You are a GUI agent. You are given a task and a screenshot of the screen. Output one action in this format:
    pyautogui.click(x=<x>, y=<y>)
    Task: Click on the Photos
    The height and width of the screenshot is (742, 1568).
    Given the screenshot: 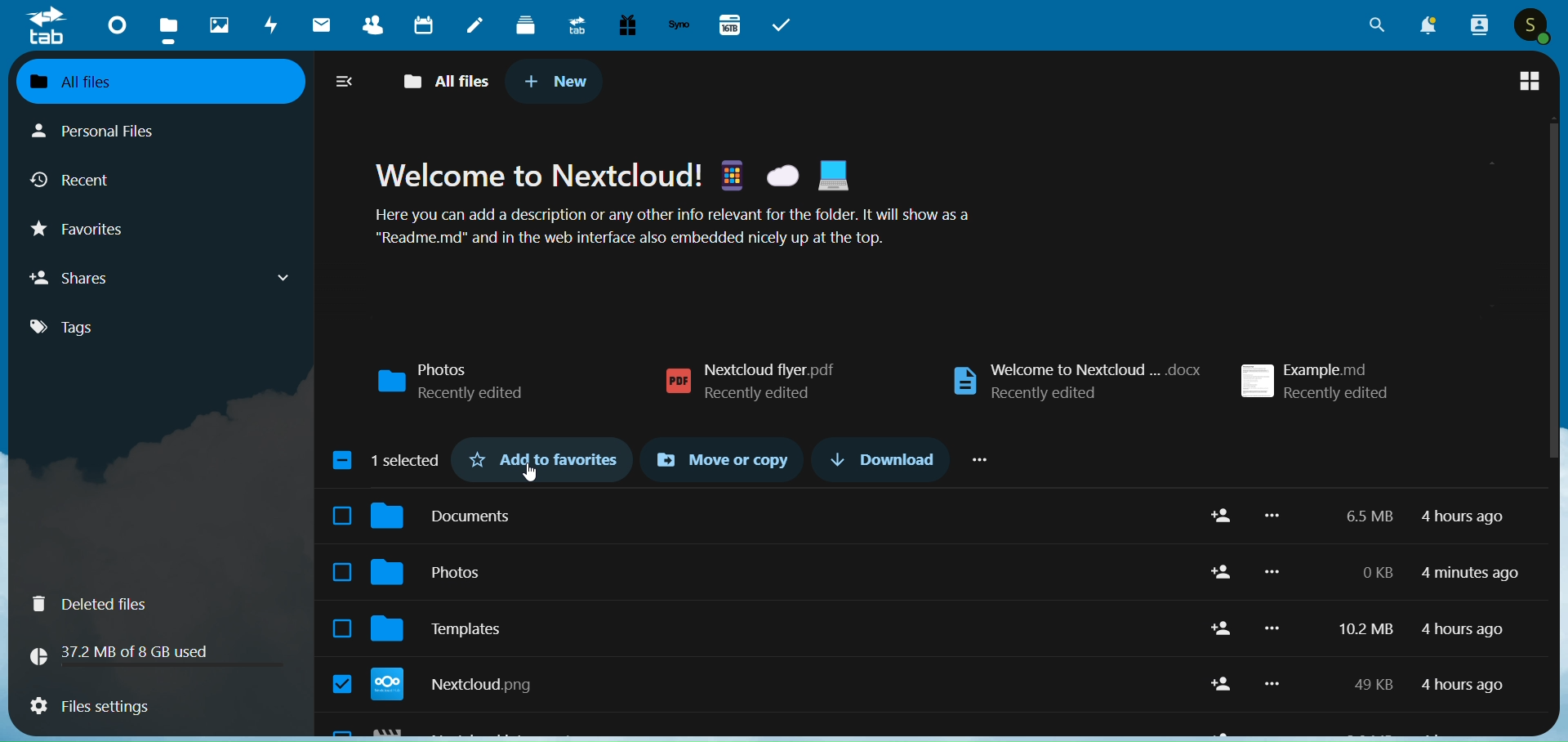 What is the action you would take?
    pyautogui.click(x=779, y=571)
    